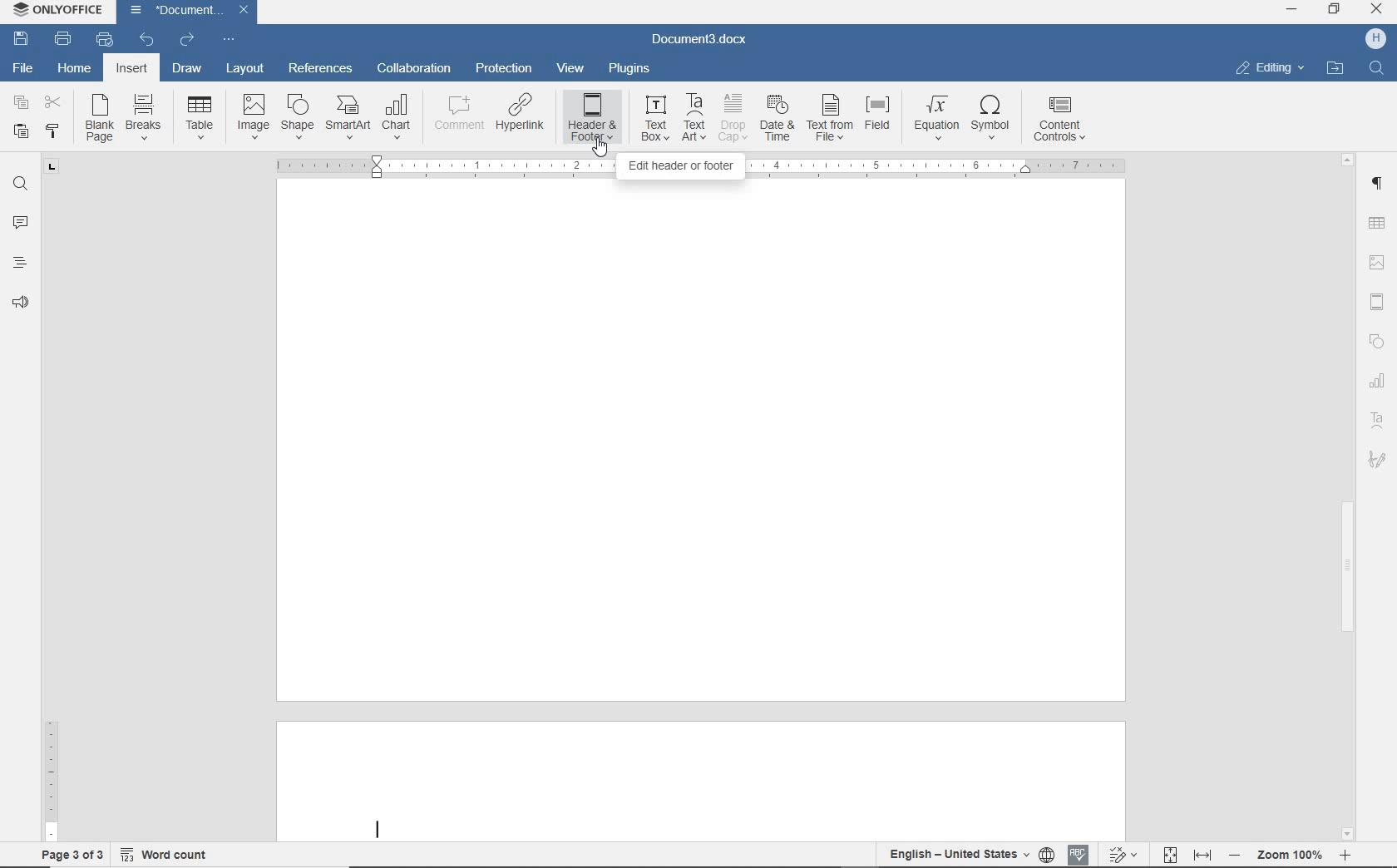  What do you see at coordinates (456, 118) in the screenshot?
I see `COMMENT` at bounding box center [456, 118].